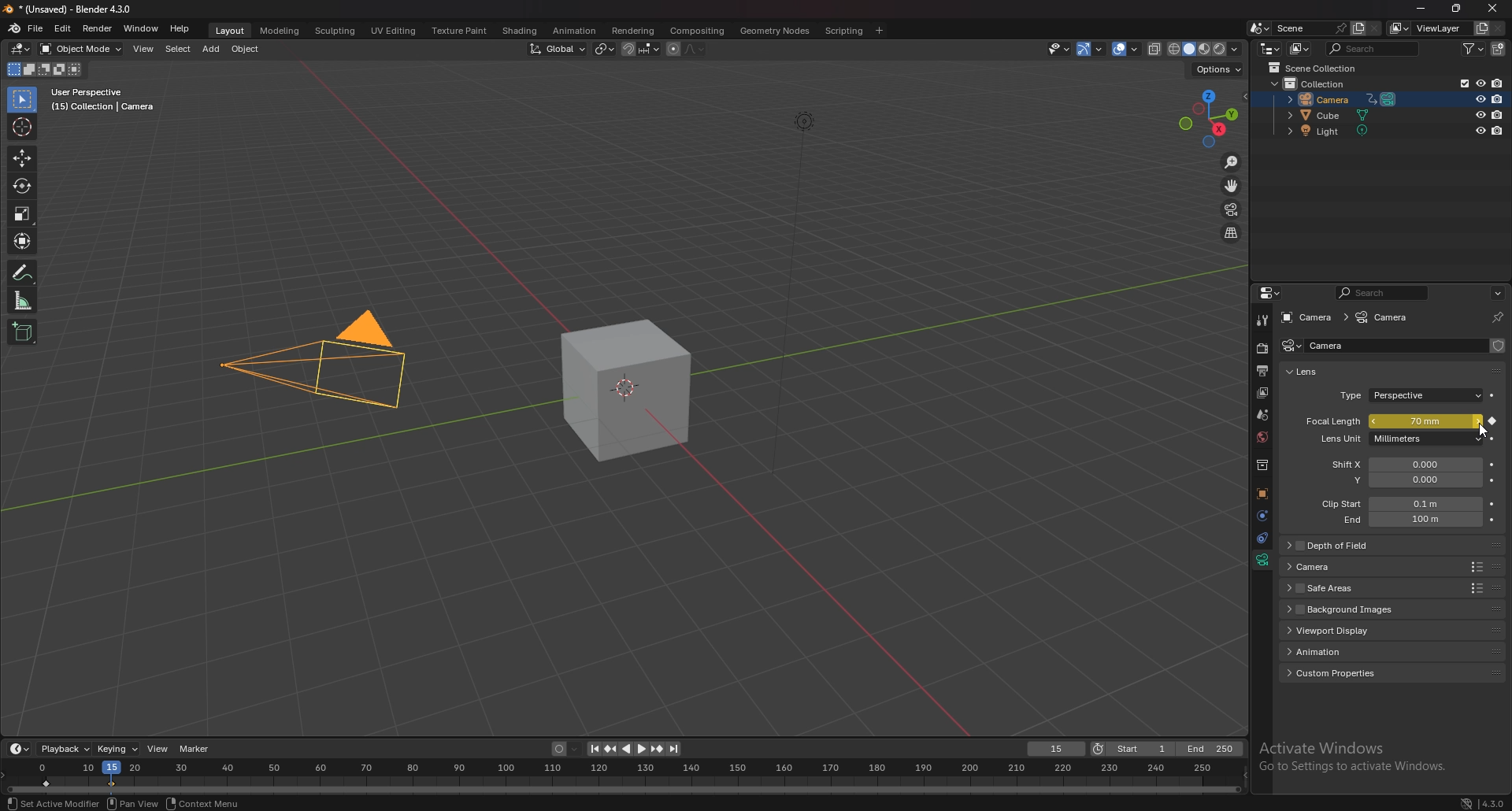 This screenshot has height=811, width=1512. Describe the element at coordinates (1495, 318) in the screenshot. I see `toggle pin id` at that location.